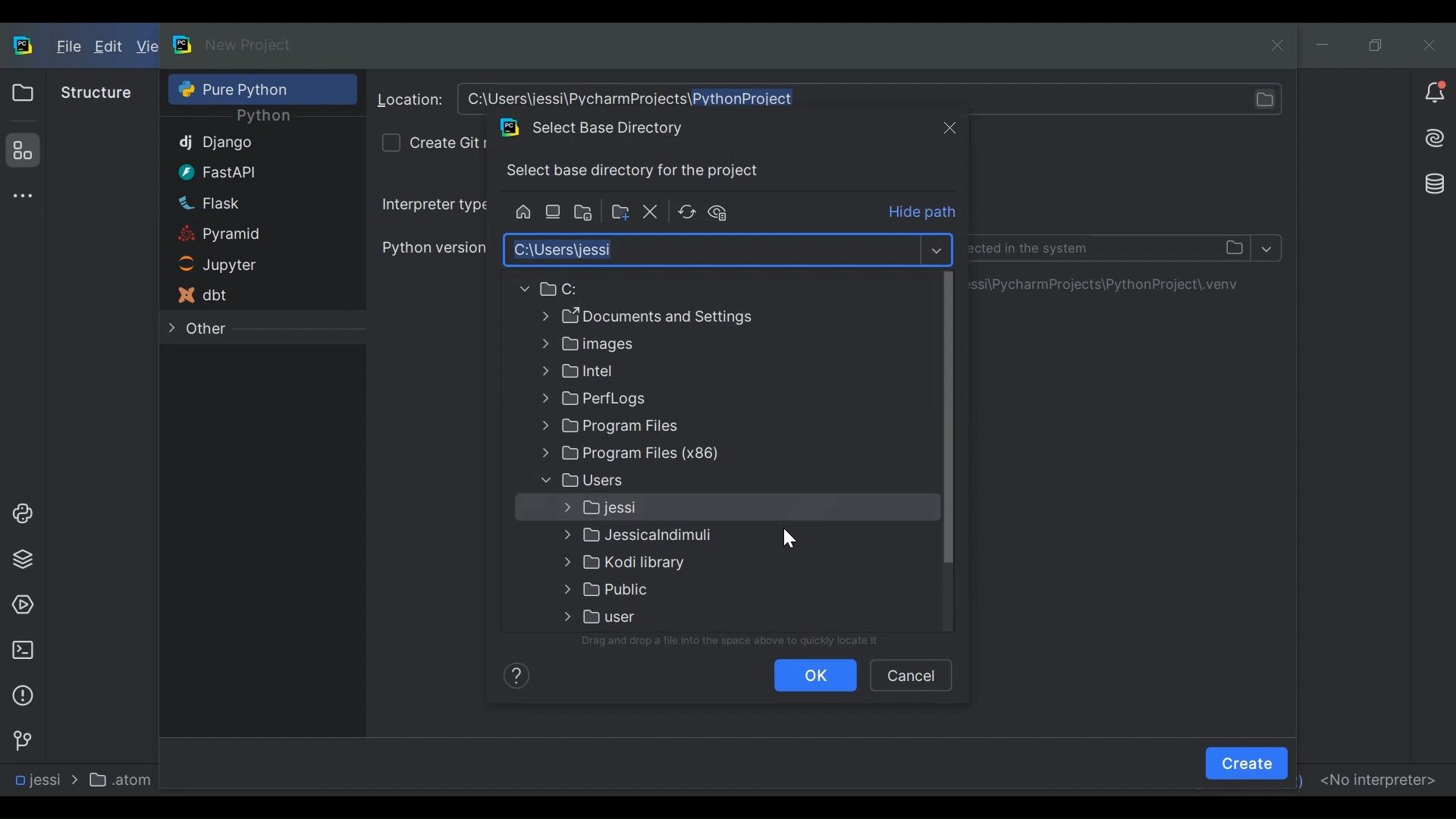 The width and height of the screenshot is (1456, 819). Describe the element at coordinates (604, 127) in the screenshot. I see `Select Base Directory` at that location.